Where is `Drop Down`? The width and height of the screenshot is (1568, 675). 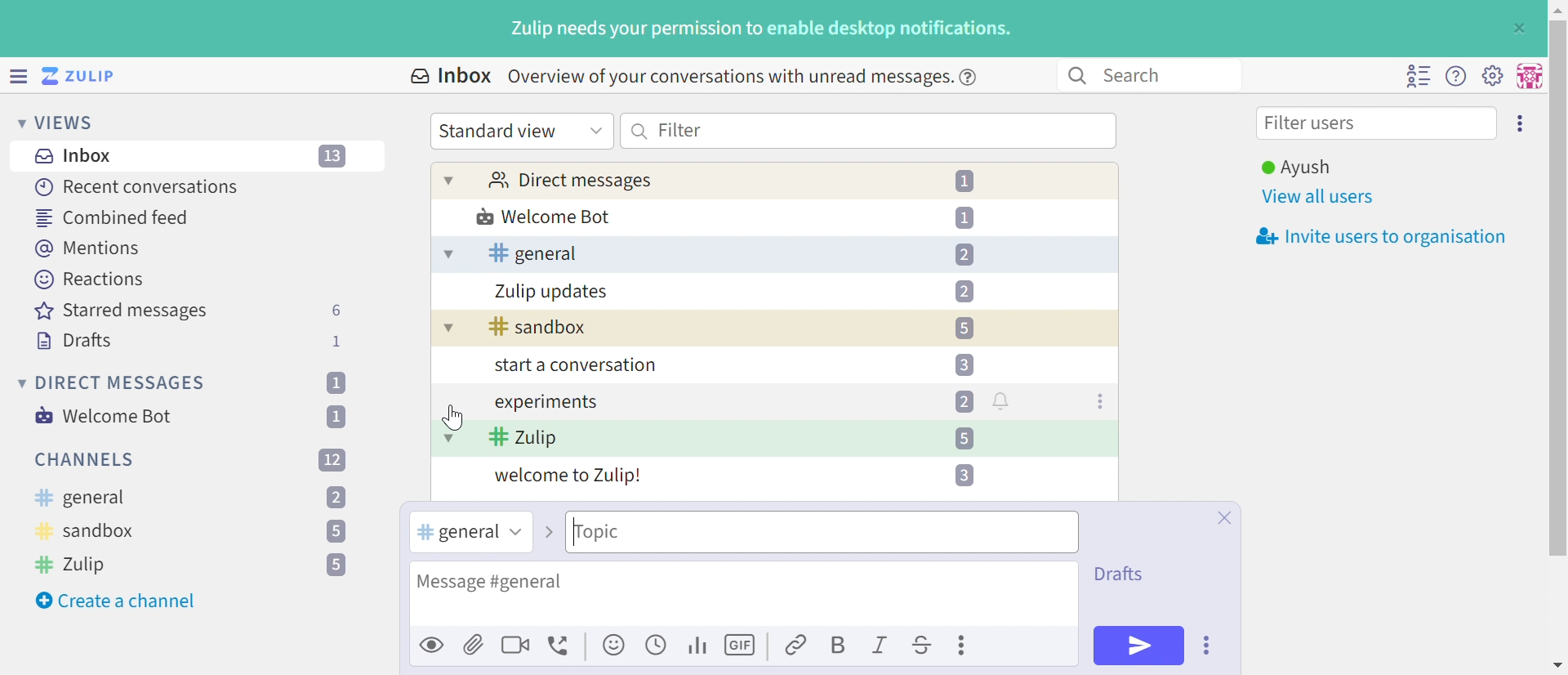
Drop Down is located at coordinates (514, 532).